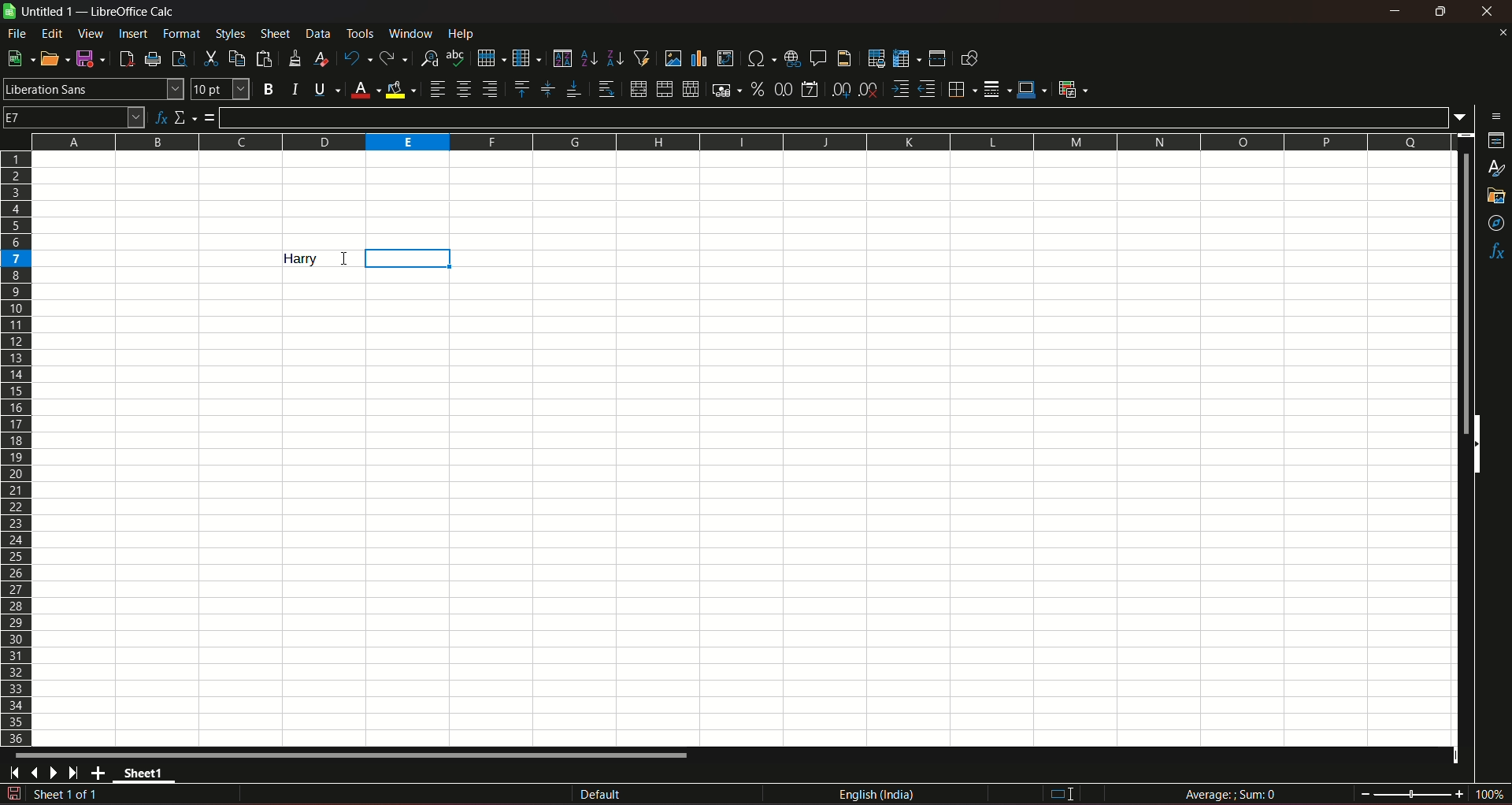 This screenshot has width=1512, height=805. I want to click on sheet, so click(276, 34).